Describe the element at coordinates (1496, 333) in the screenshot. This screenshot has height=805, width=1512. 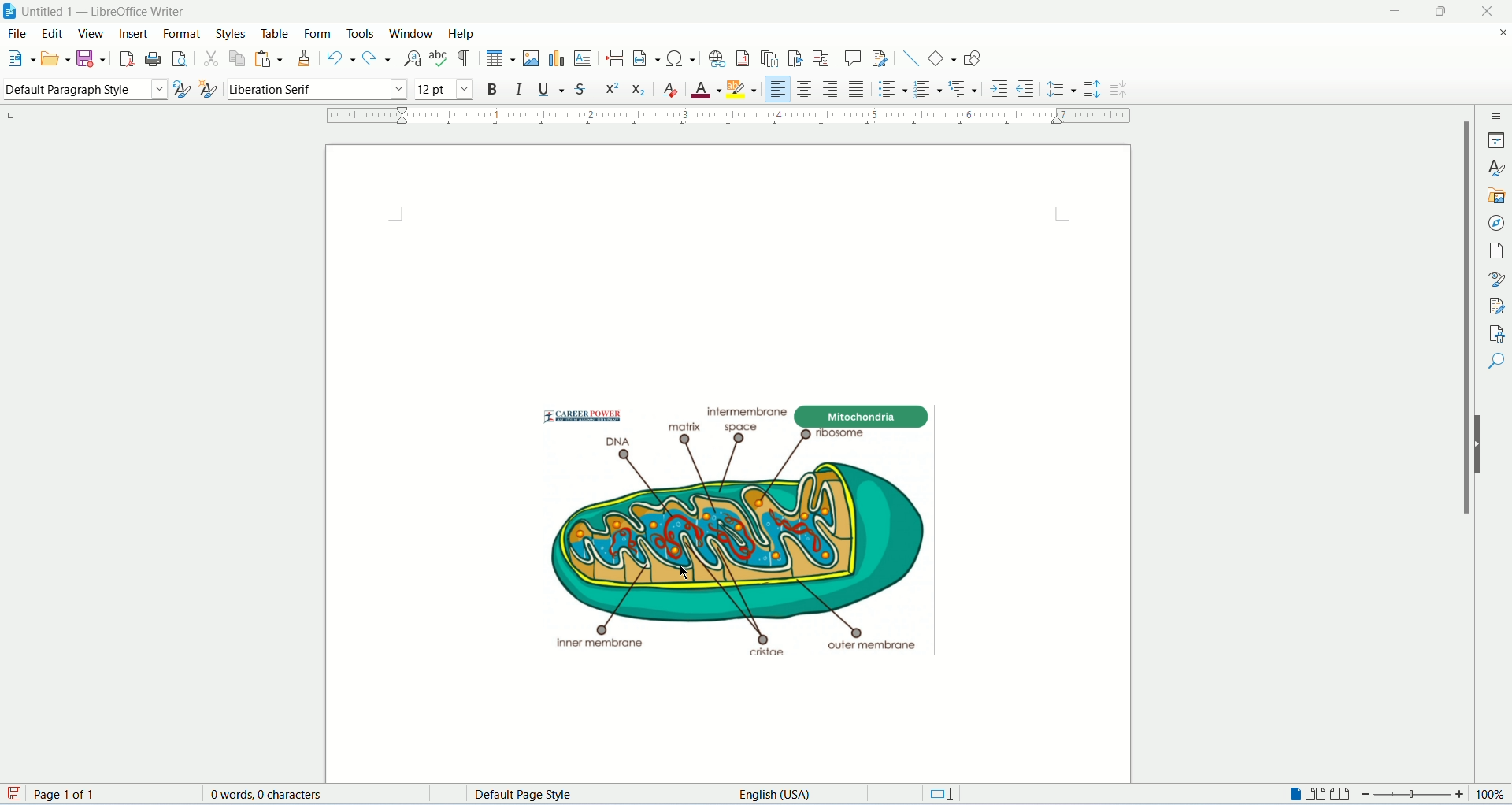
I see `accessibility check` at that location.